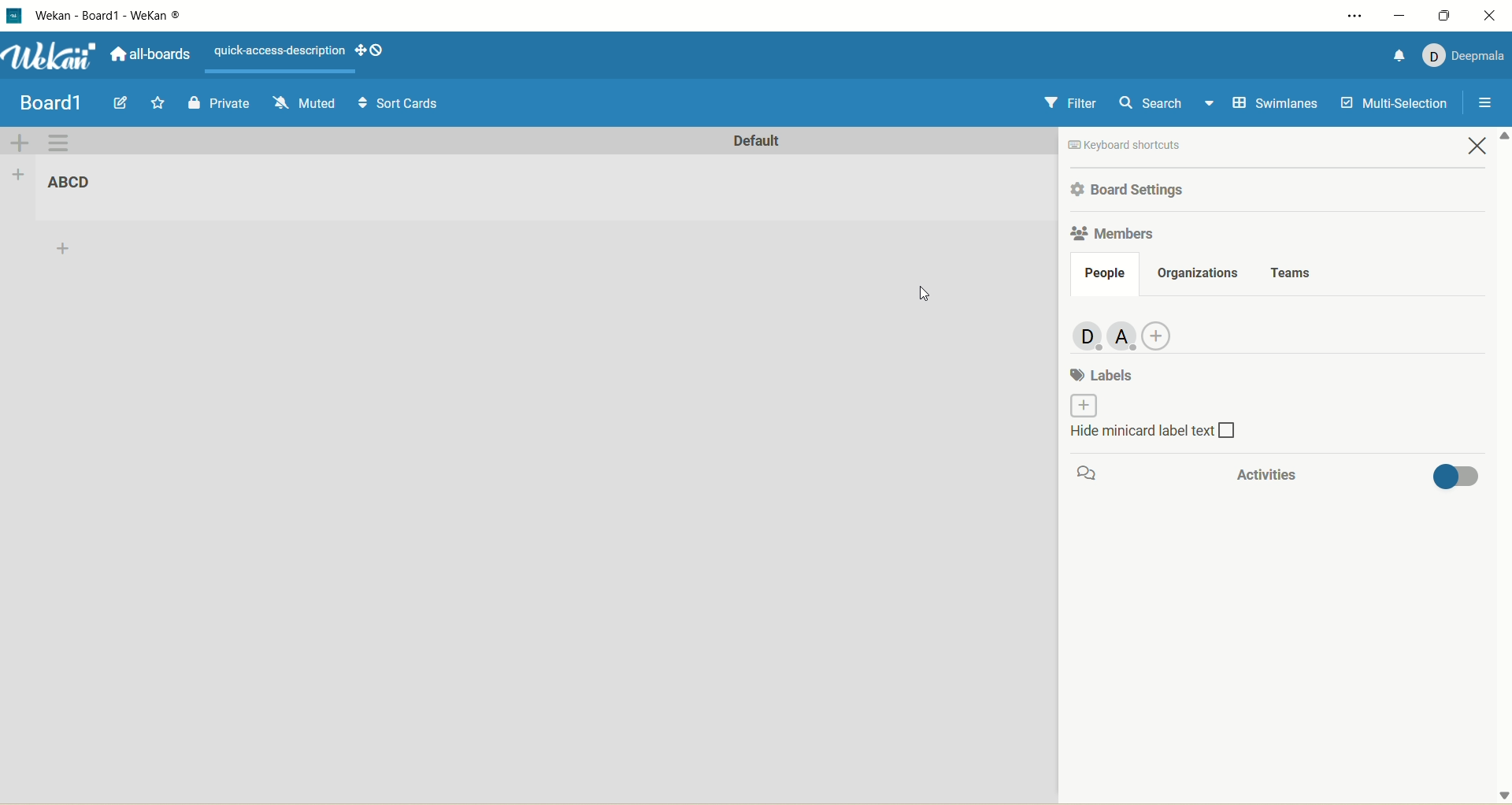  What do you see at coordinates (929, 295) in the screenshot?
I see `cursor` at bounding box center [929, 295].